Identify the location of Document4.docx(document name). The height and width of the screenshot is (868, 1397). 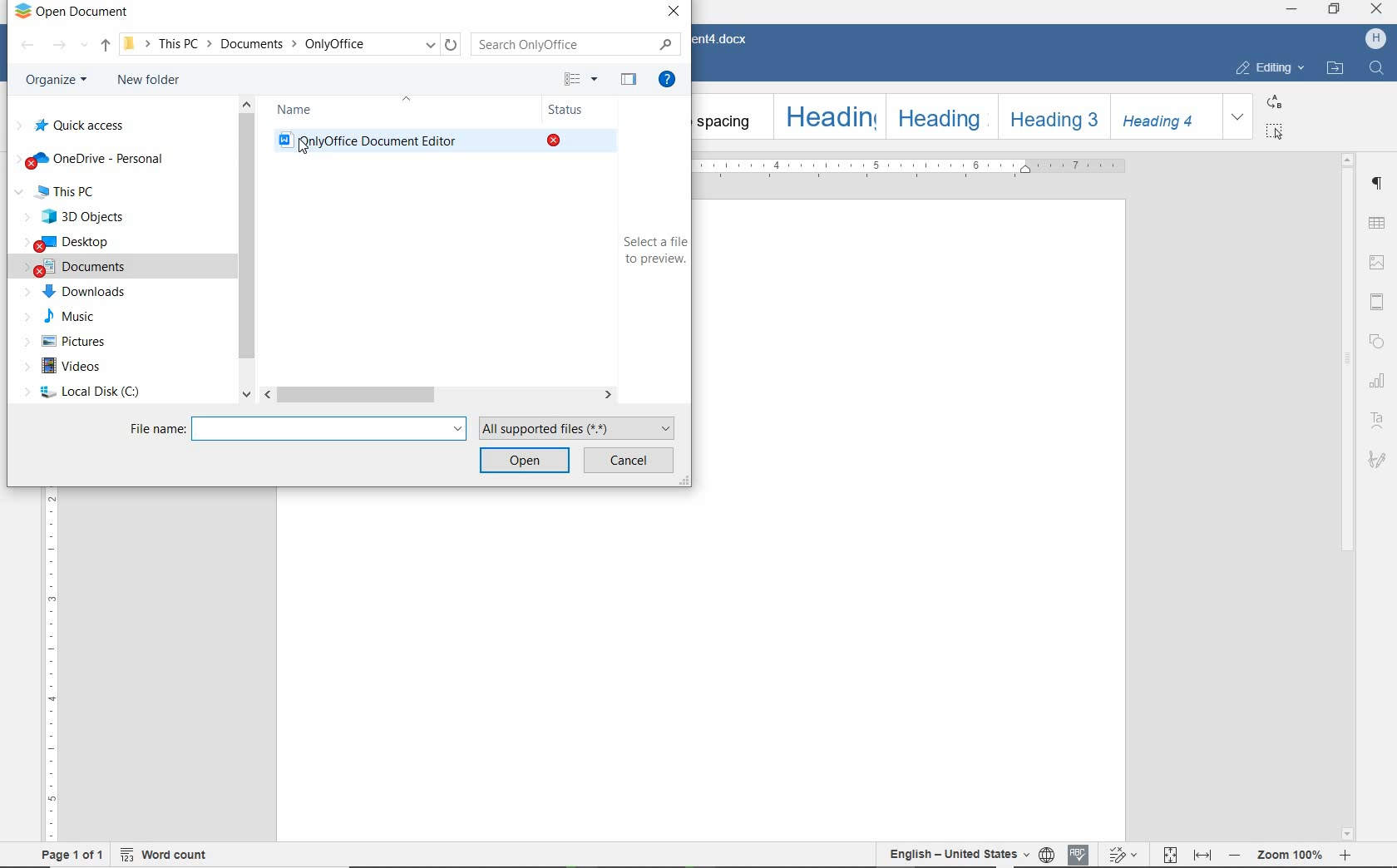
(728, 41).